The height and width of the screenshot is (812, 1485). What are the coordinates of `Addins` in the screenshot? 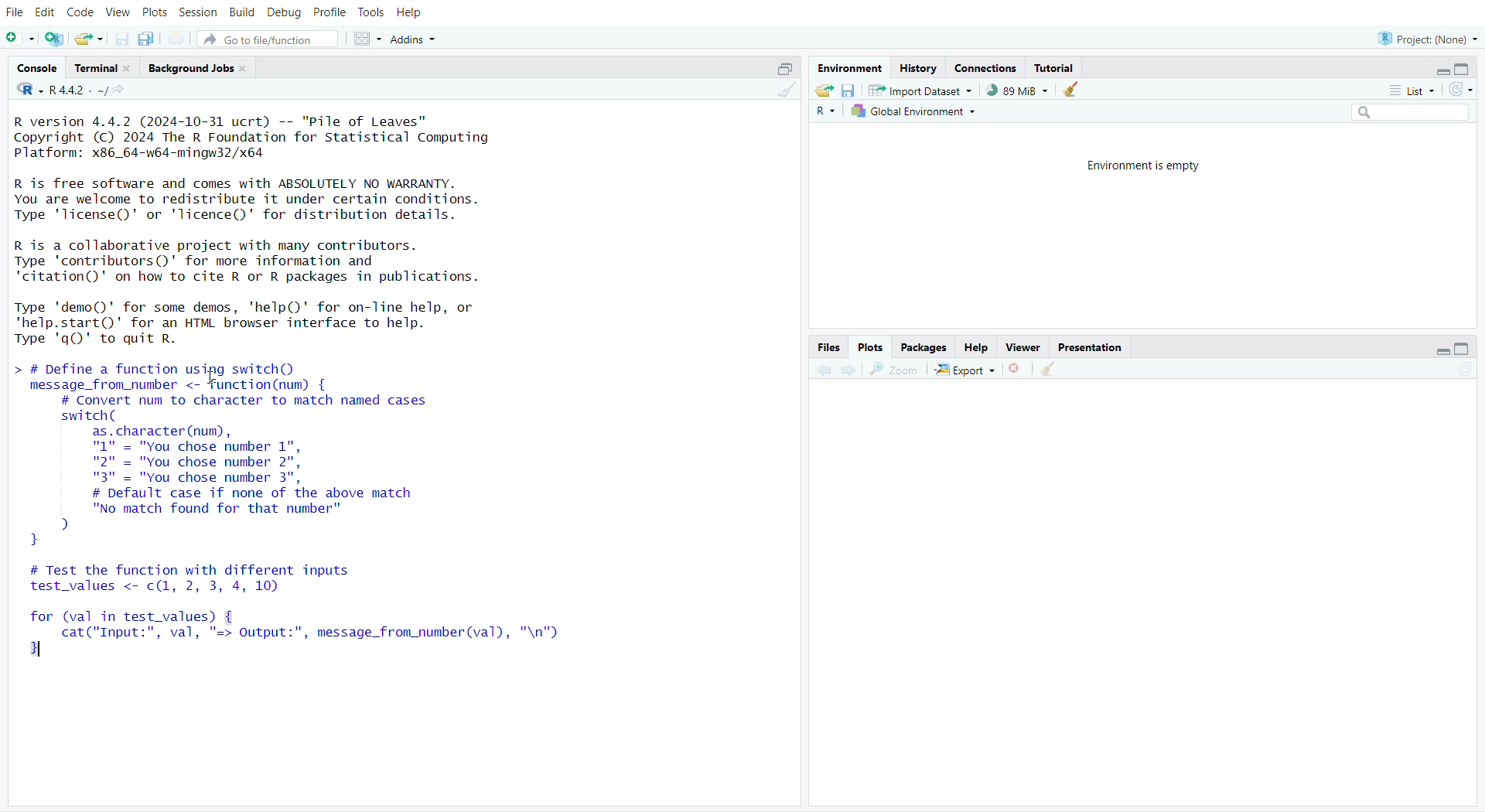 It's located at (413, 39).